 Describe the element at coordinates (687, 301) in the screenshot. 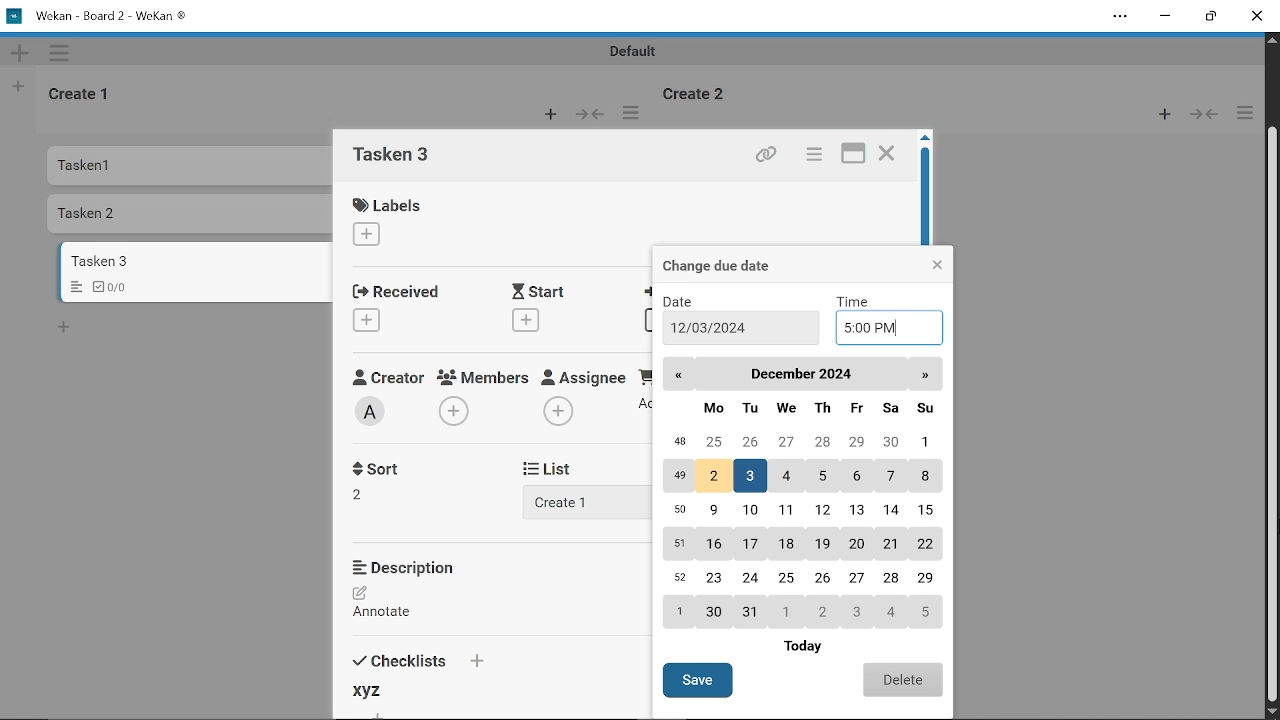

I see `Date` at that location.